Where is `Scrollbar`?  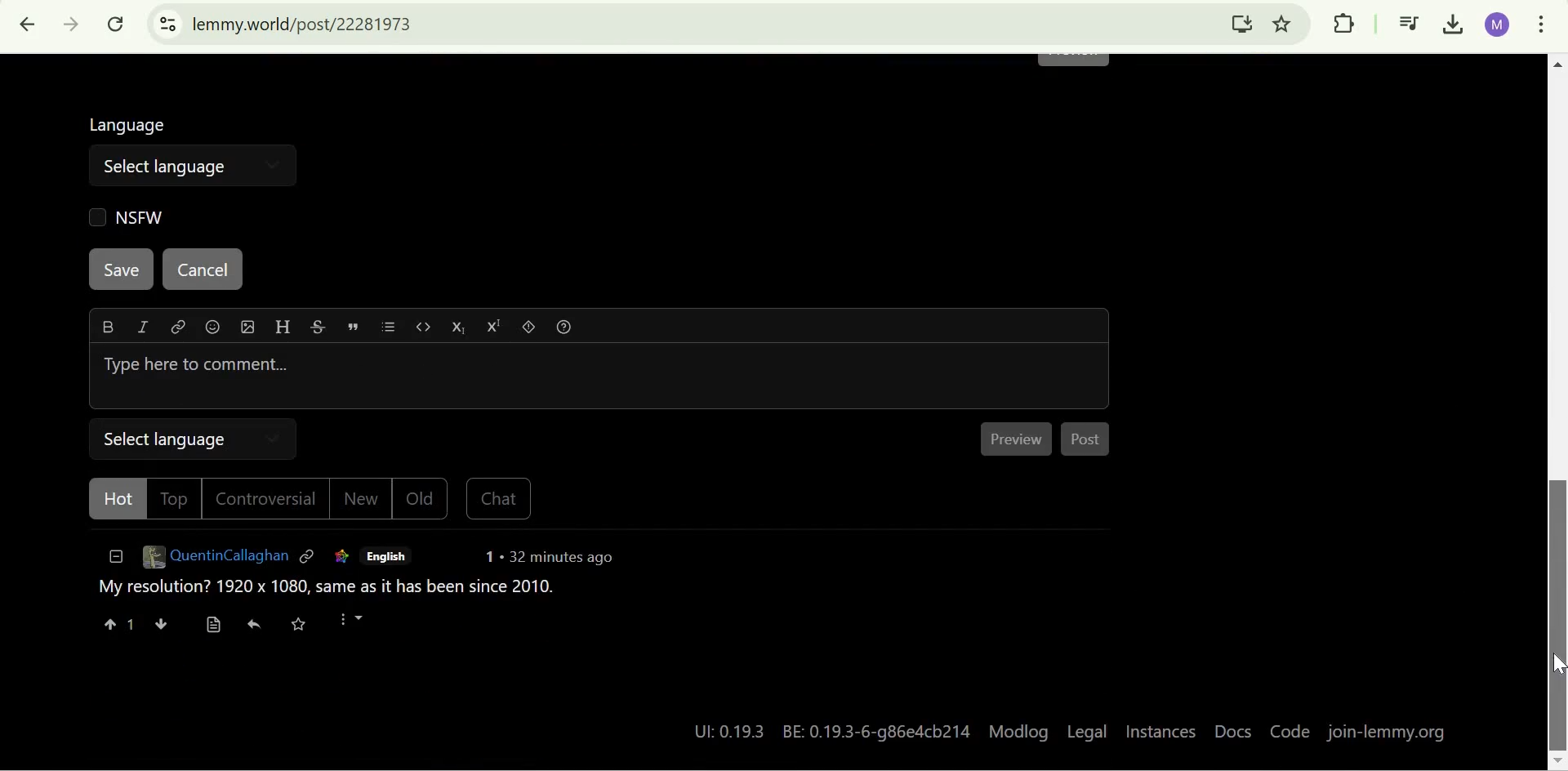 Scrollbar is located at coordinates (1553, 414).